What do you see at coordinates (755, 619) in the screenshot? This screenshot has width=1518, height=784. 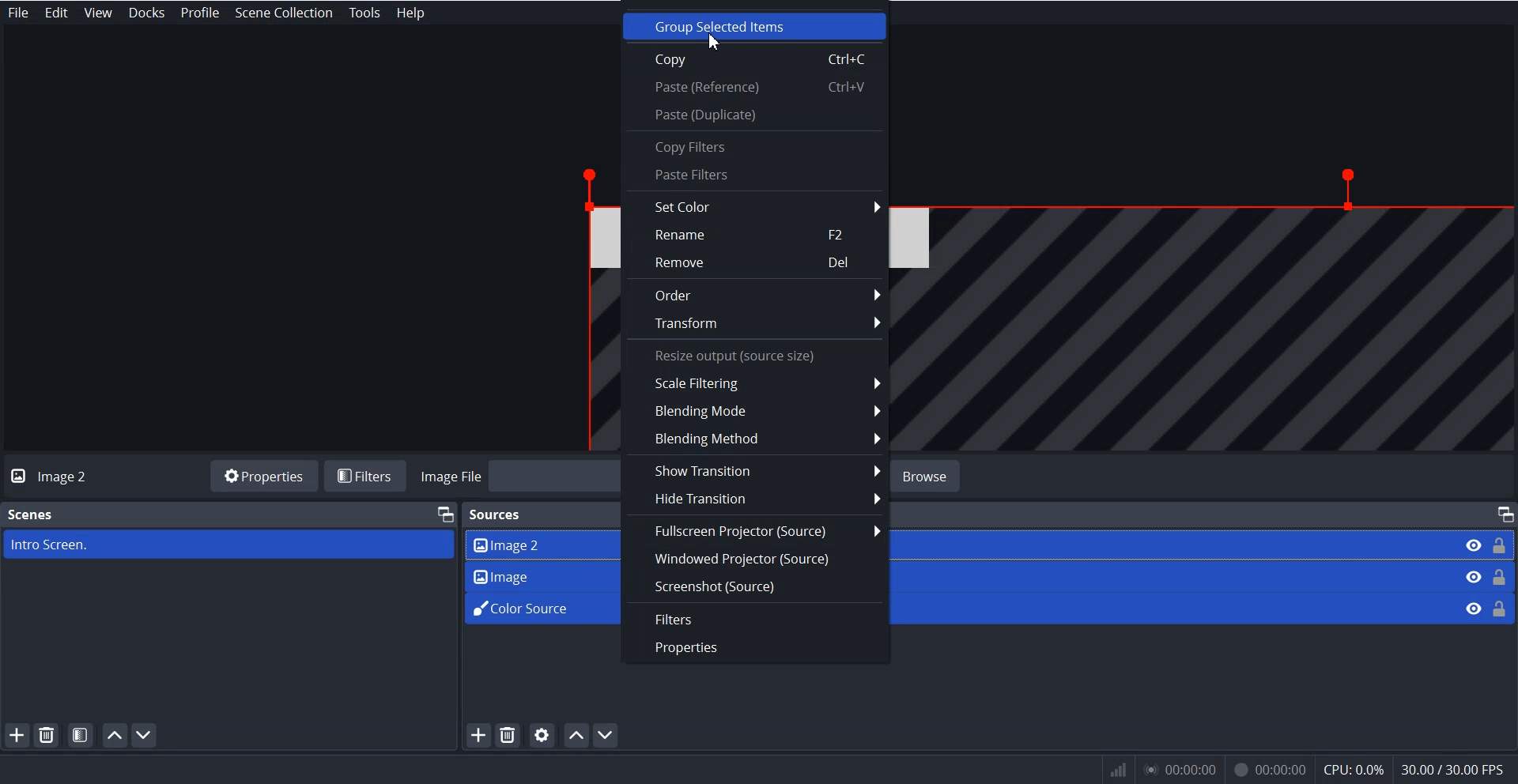 I see `Filter` at bounding box center [755, 619].